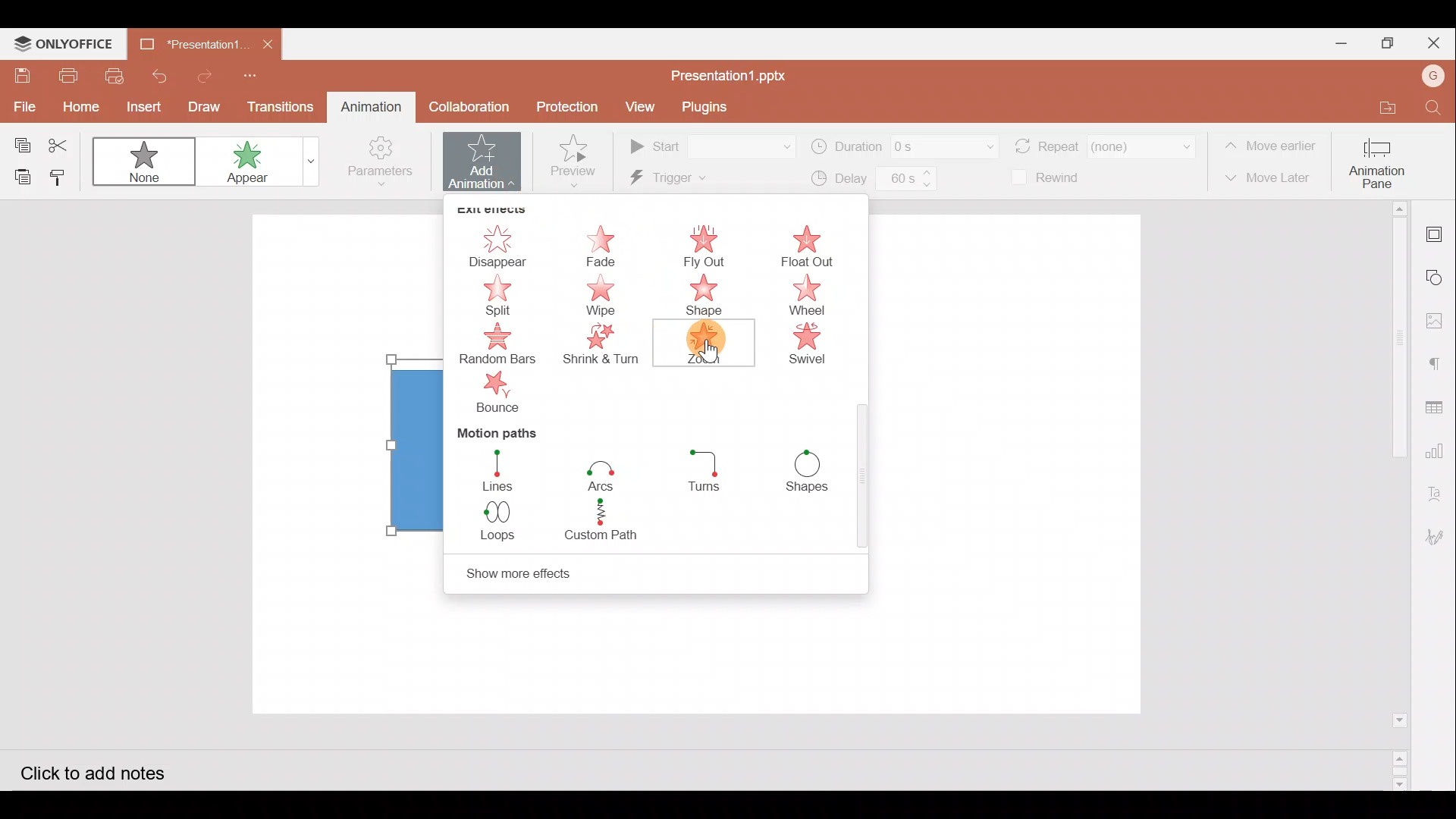  I want to click on File, so click(22, 105).